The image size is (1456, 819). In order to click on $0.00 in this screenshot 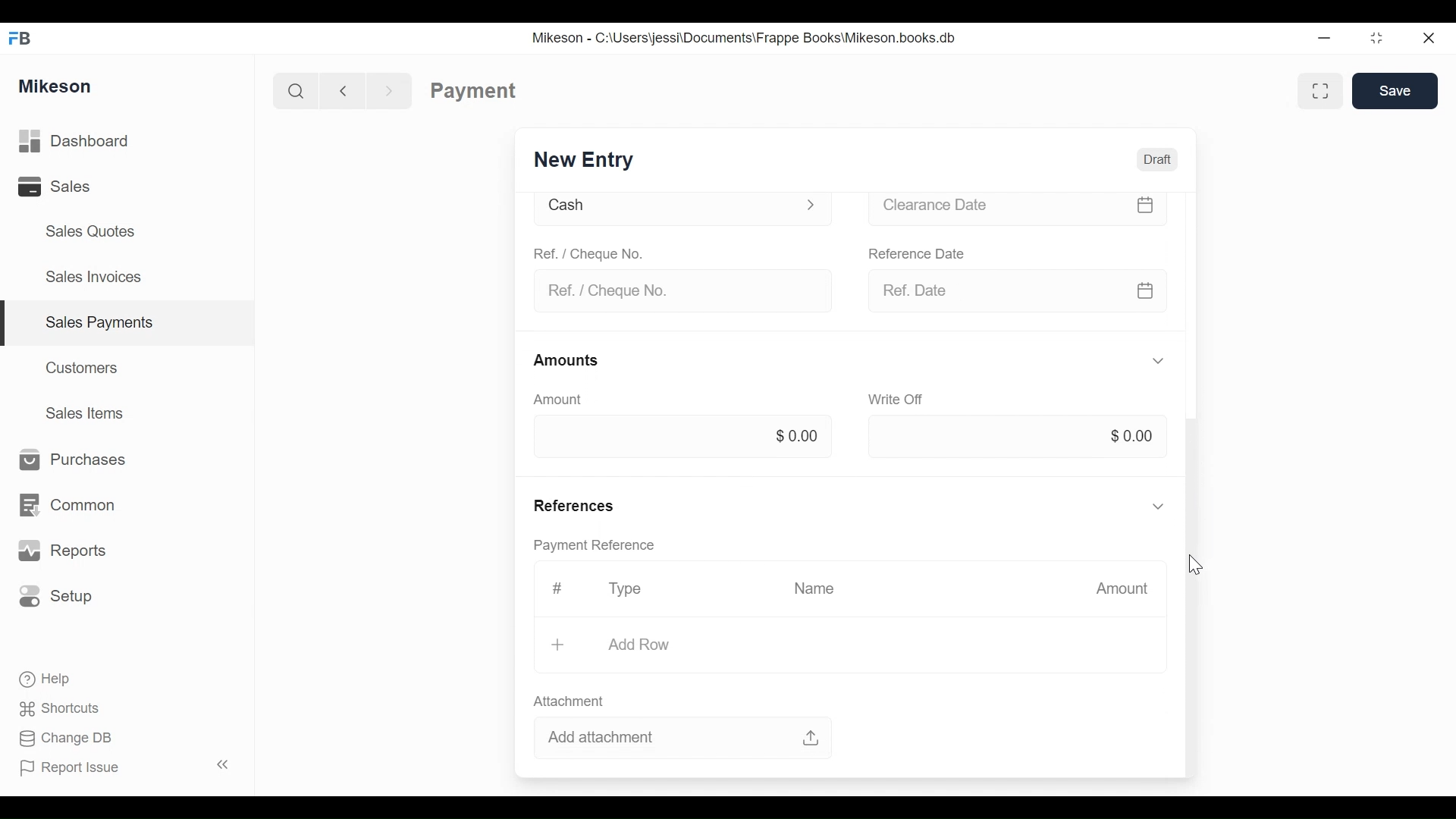, I will do `click(799, 438)`.